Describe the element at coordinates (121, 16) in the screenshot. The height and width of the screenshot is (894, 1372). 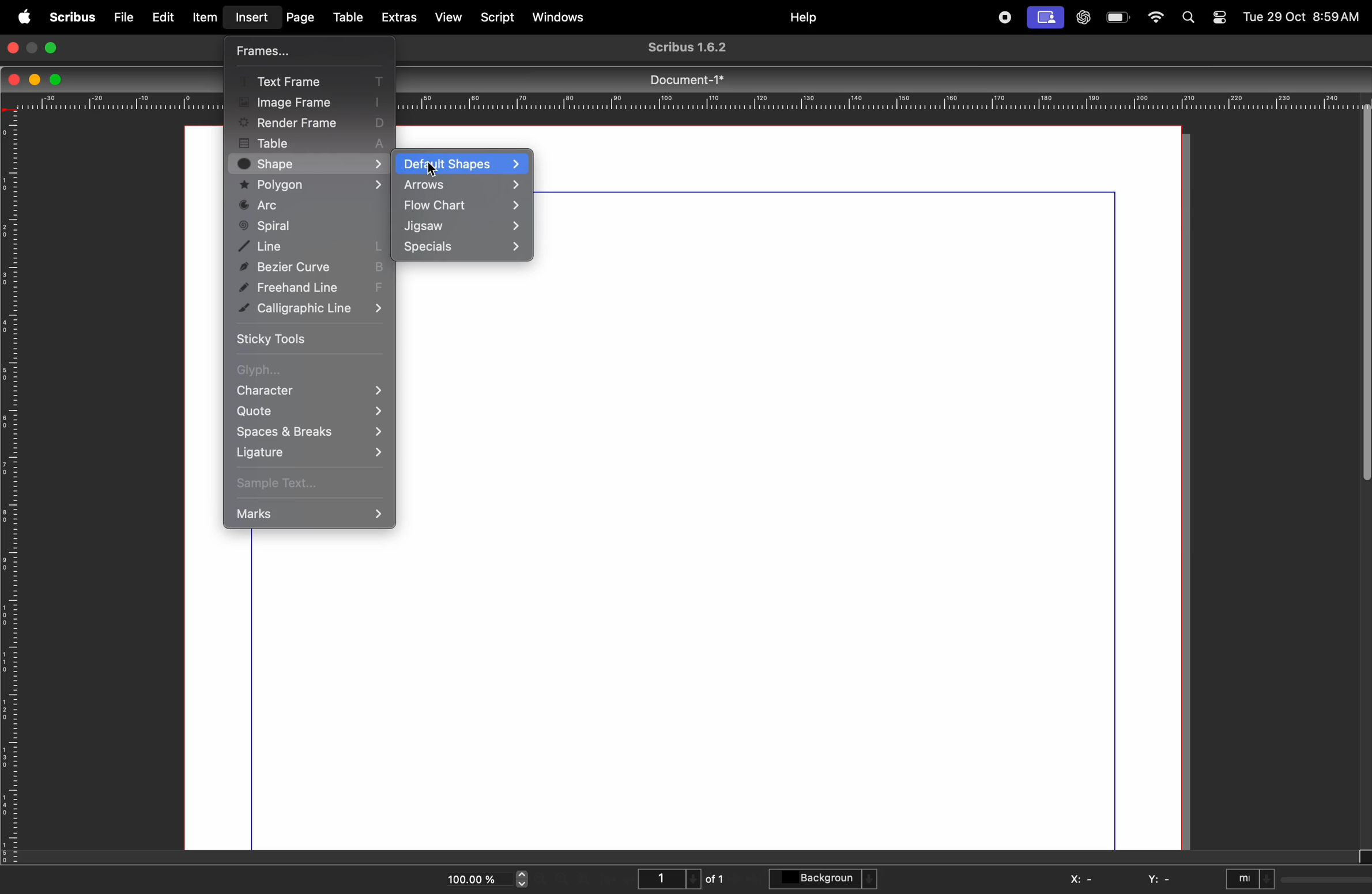
I see `file` at that location.